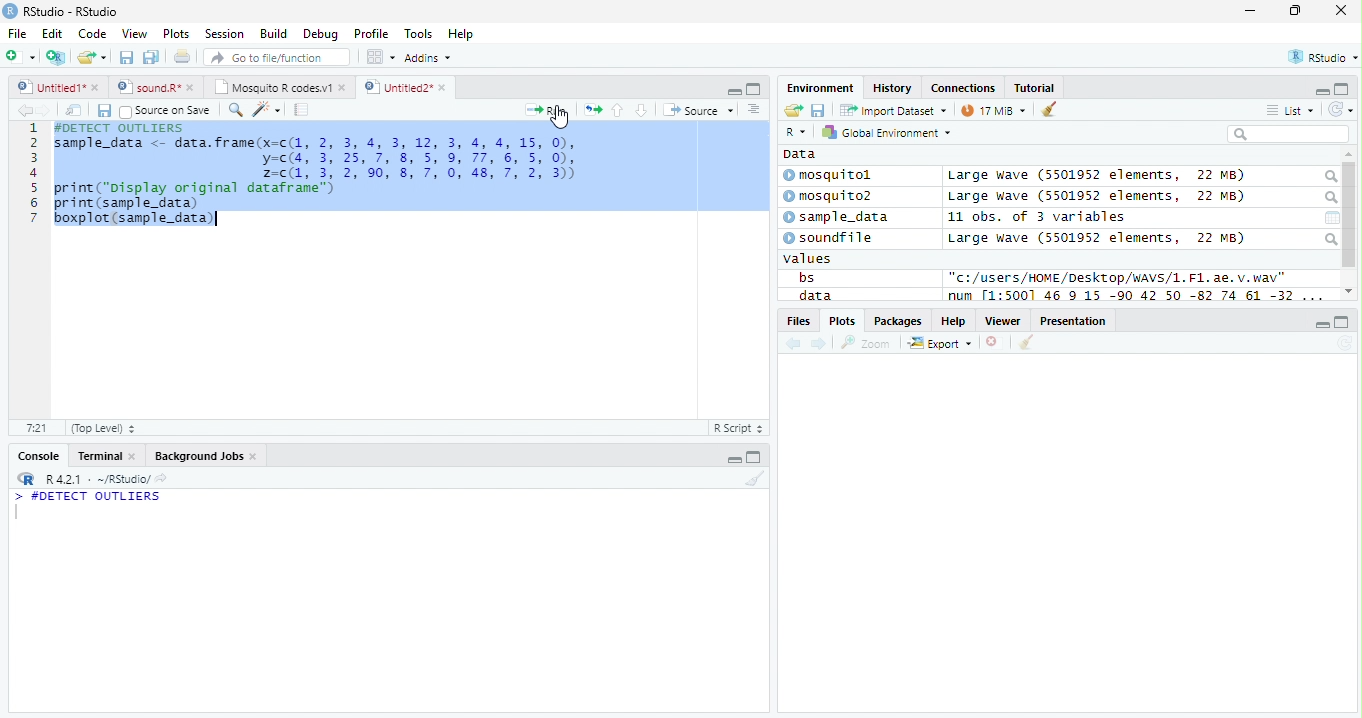 The width and height of the screenshot is (1362, 718). What do you see at coordinates (224, 33) in the screenshot?
I see `Session` at bounding box center [224, 33].